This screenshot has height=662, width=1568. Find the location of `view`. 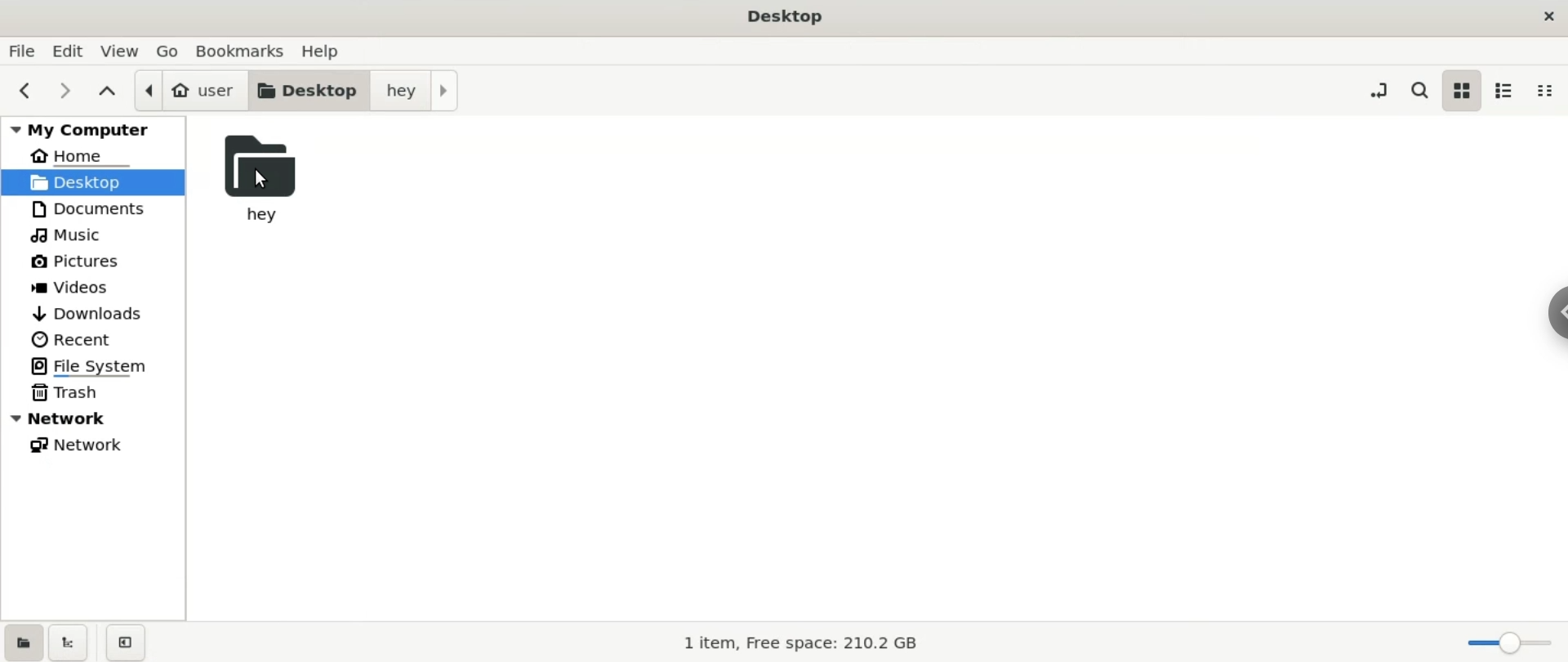

view is located at coordinates (125, 51).